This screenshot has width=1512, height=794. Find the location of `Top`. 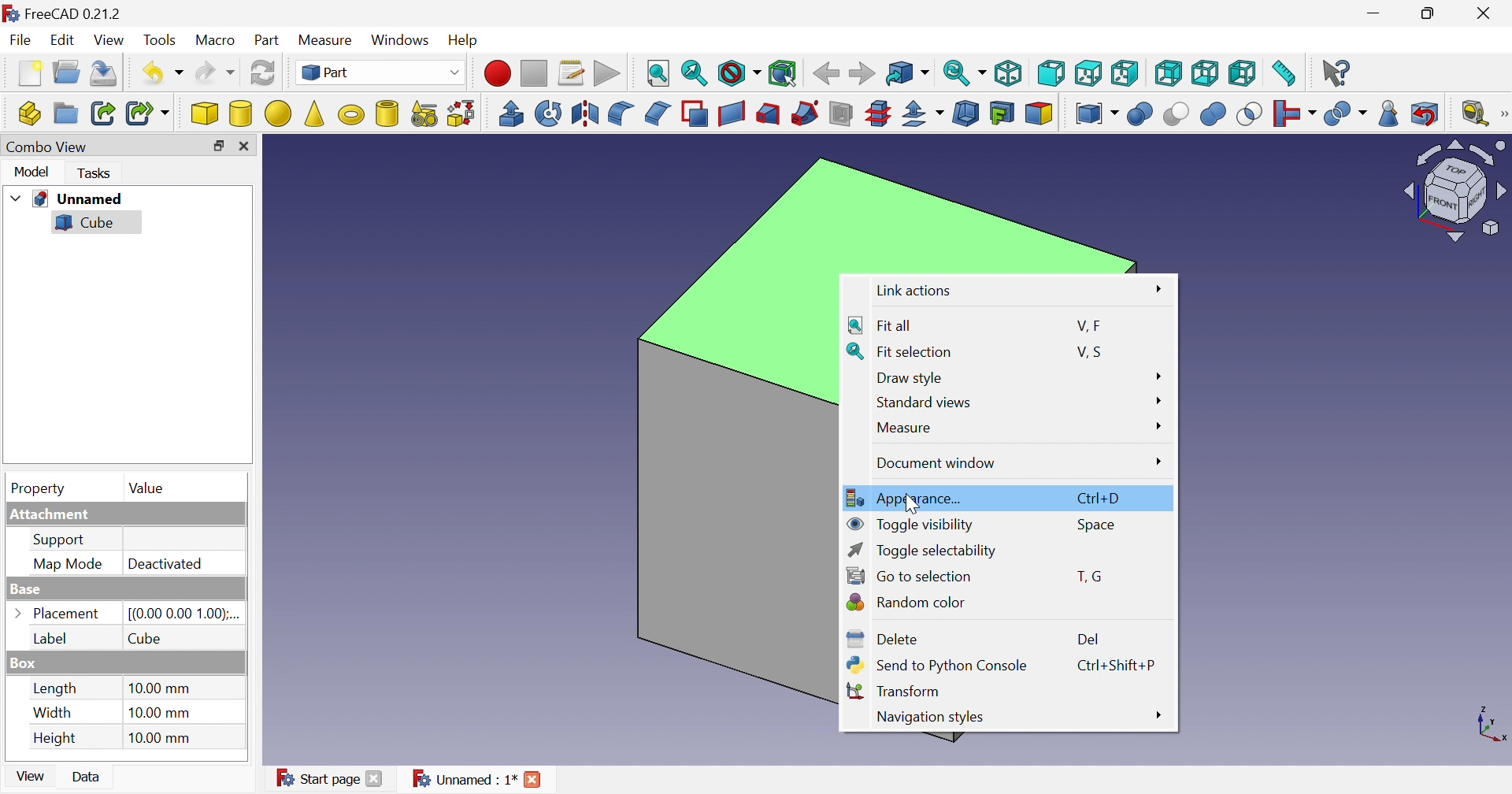

Top is located at coordinates (1088, 72).